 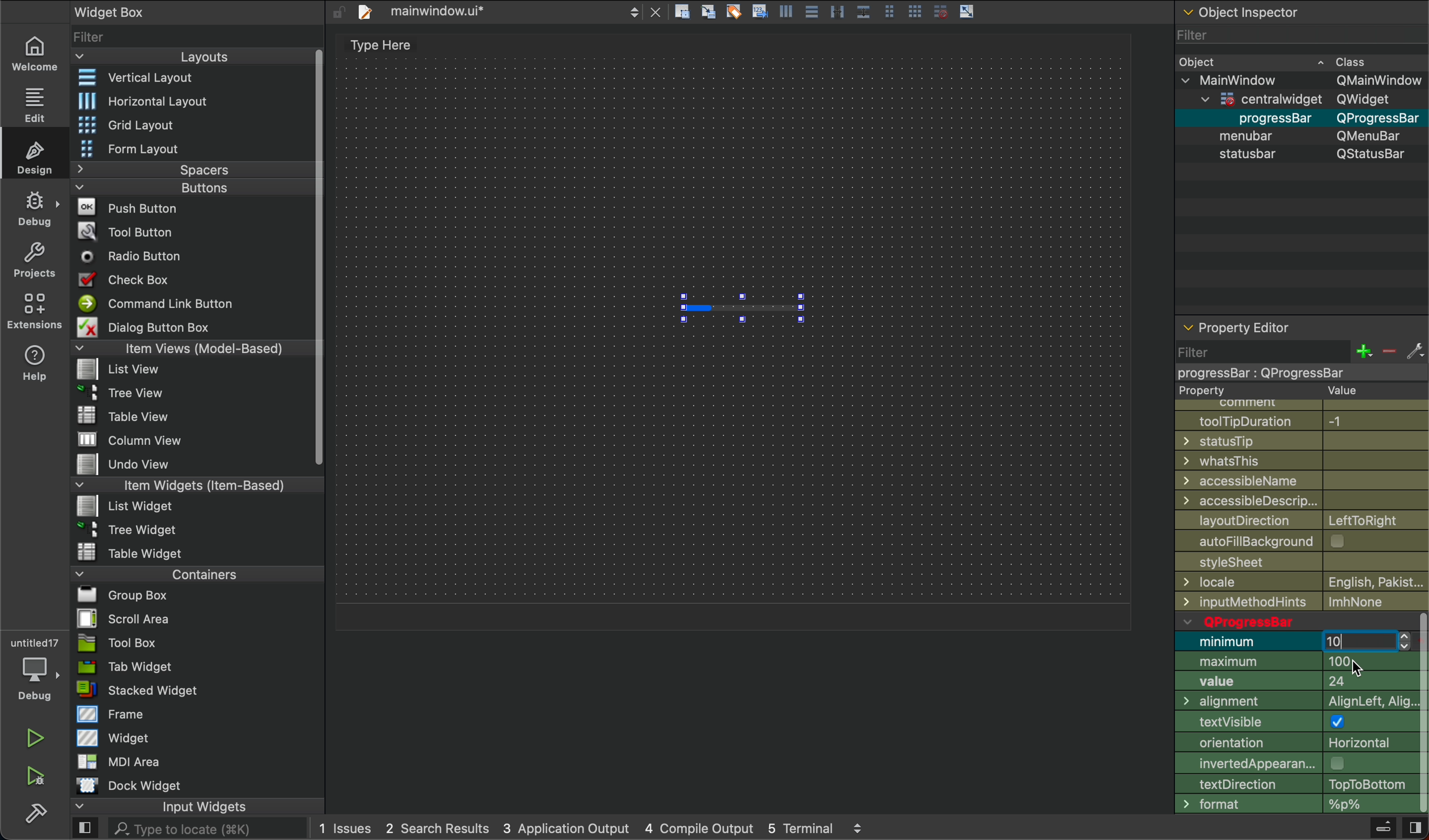 I want to click on Direction , so click(x=1291, y=784).